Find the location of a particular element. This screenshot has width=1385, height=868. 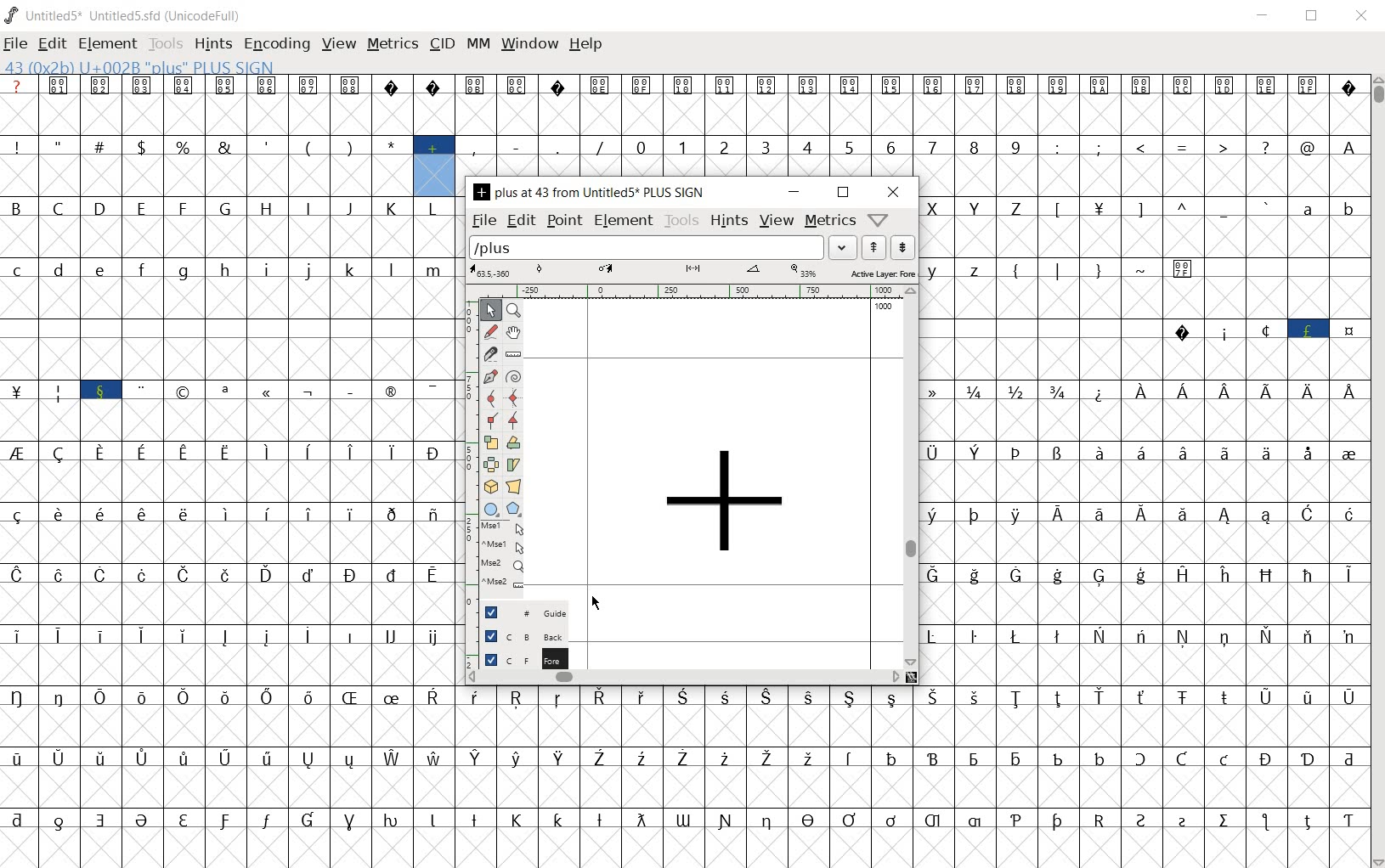

Add a corner point is located at coordinates (491, 420).